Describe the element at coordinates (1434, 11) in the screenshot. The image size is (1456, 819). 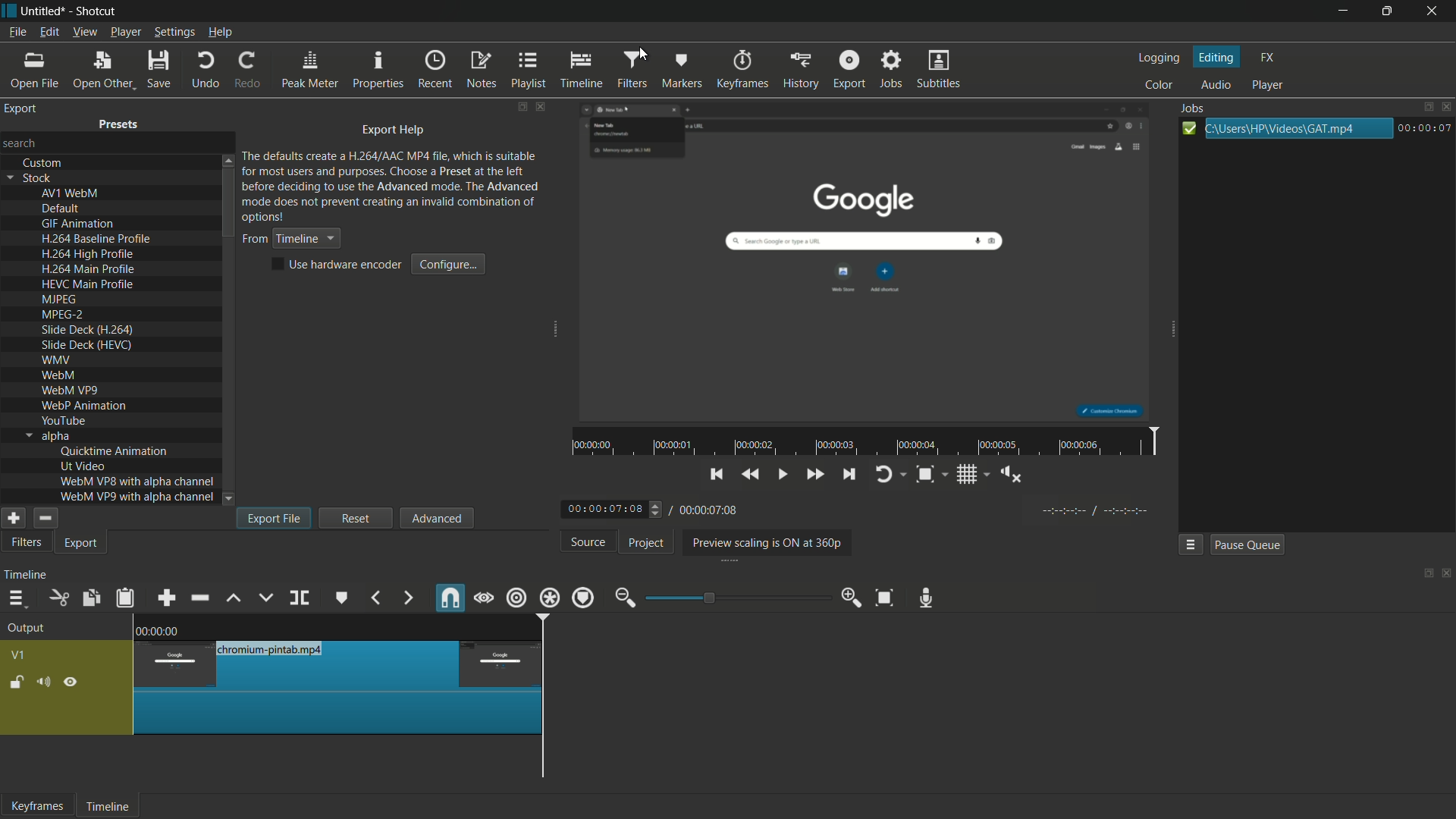
I see `close app` at that location.